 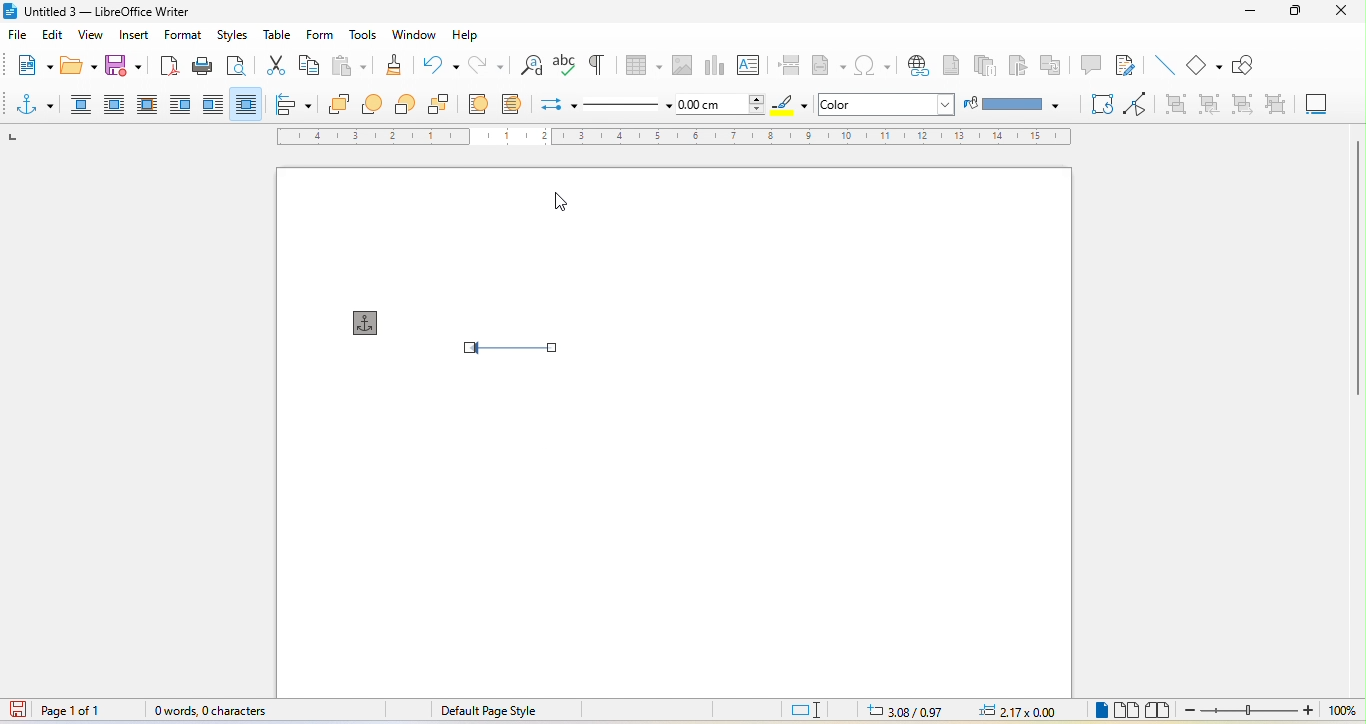 What do you see at coordinates (1100, 103) in the screenshot?
I see `rotate` at bounding box center [1100, 103].